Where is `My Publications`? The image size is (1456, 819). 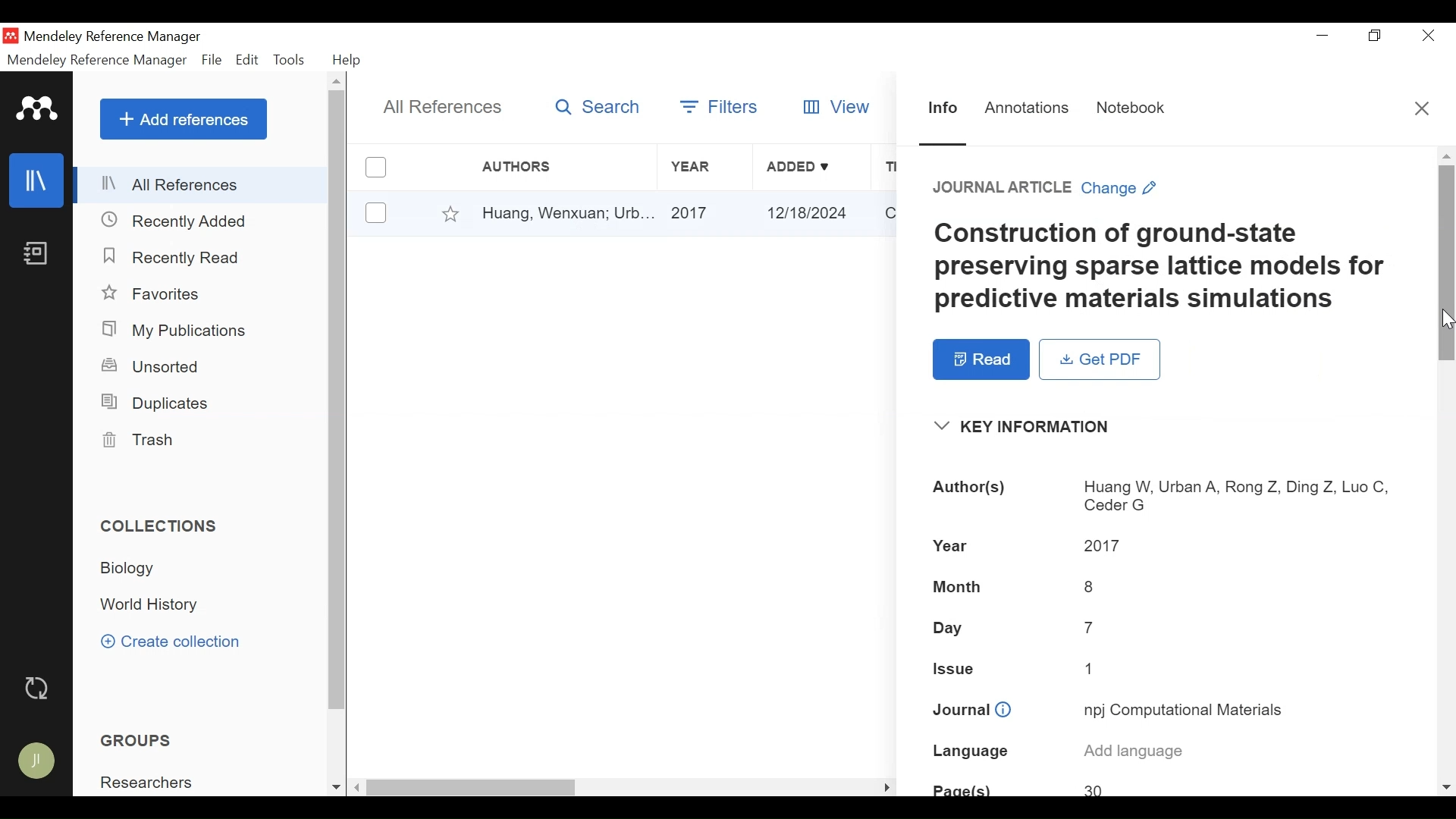
My Publications is located at coordinates (185, 330).